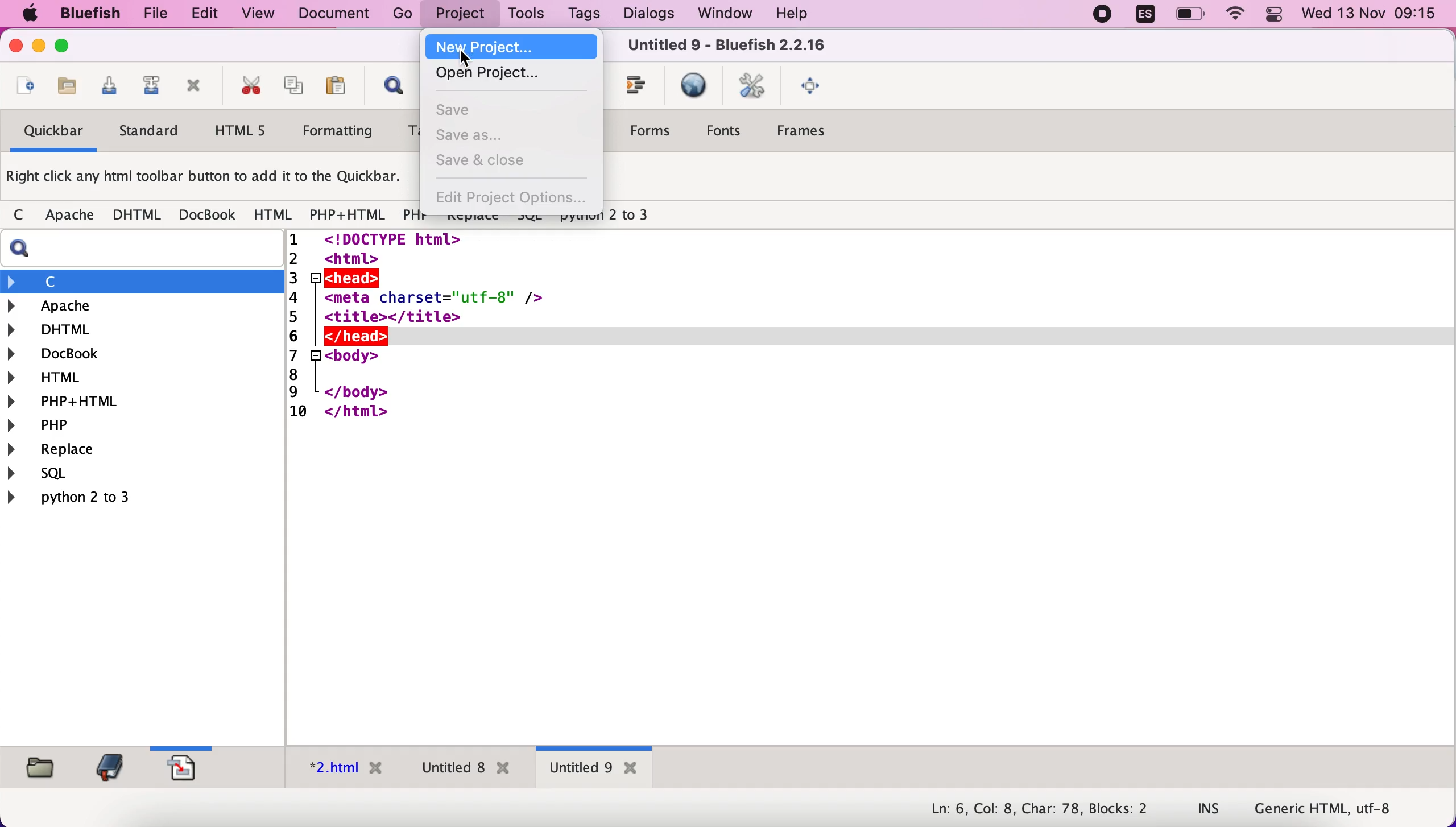  I want to click on edit, so click(199, 14).